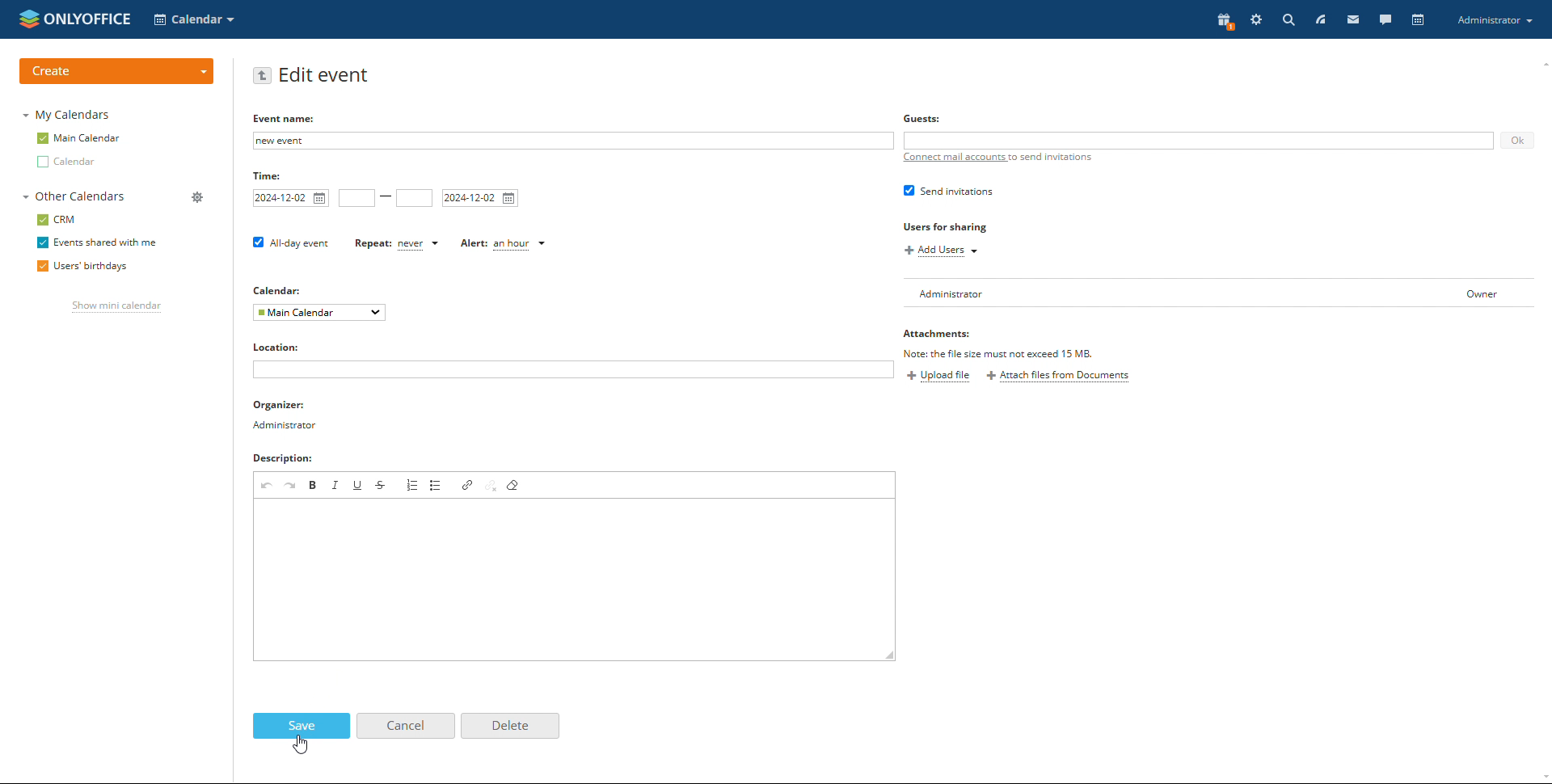 This screenshot has height=784, width=1552. I want to click on add description, so click(568, 580).